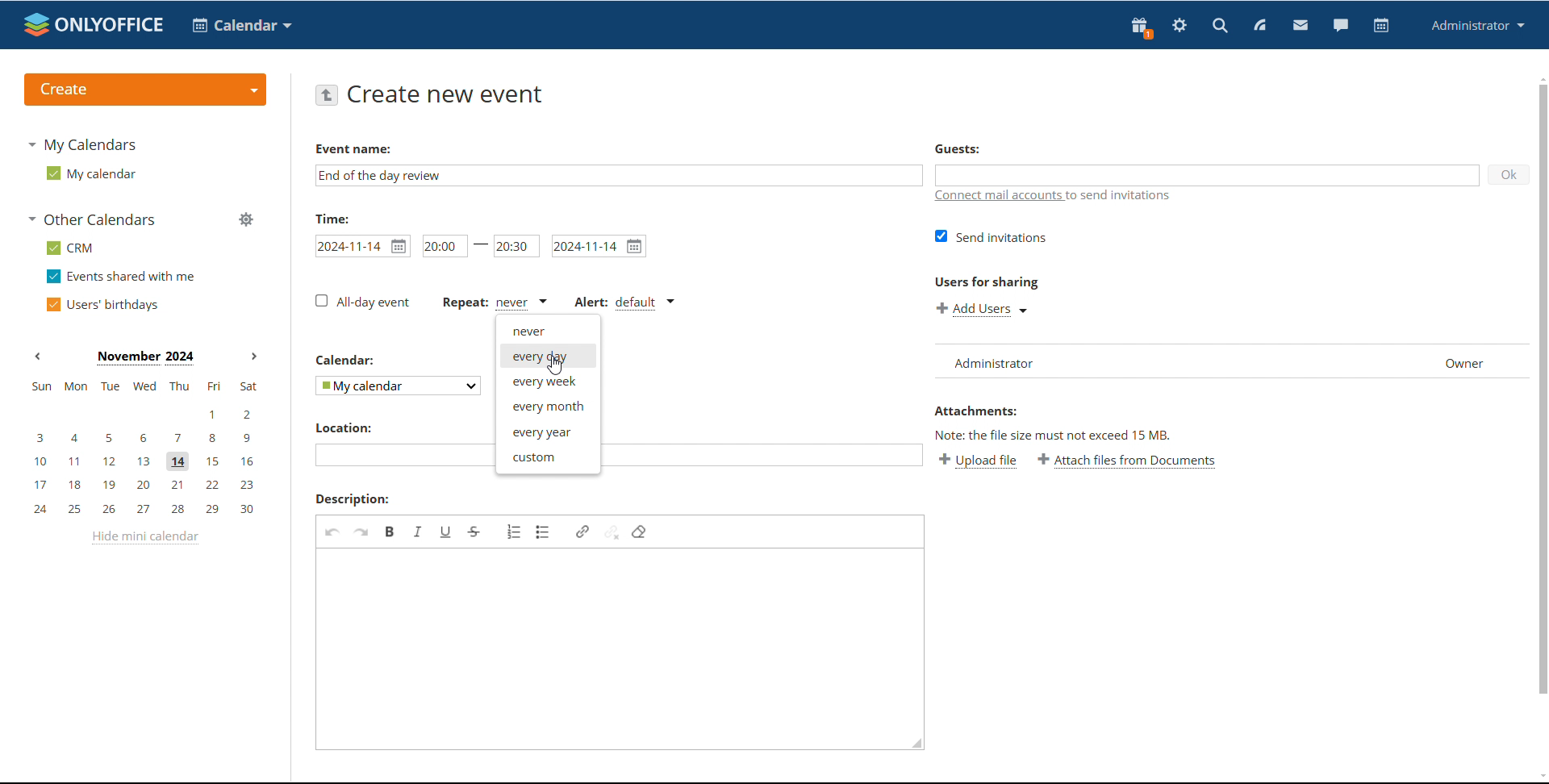 The image size is (1549, 784). Describe the element at coordinates (546, 407) in the screenshot. I see `every month` at that location.